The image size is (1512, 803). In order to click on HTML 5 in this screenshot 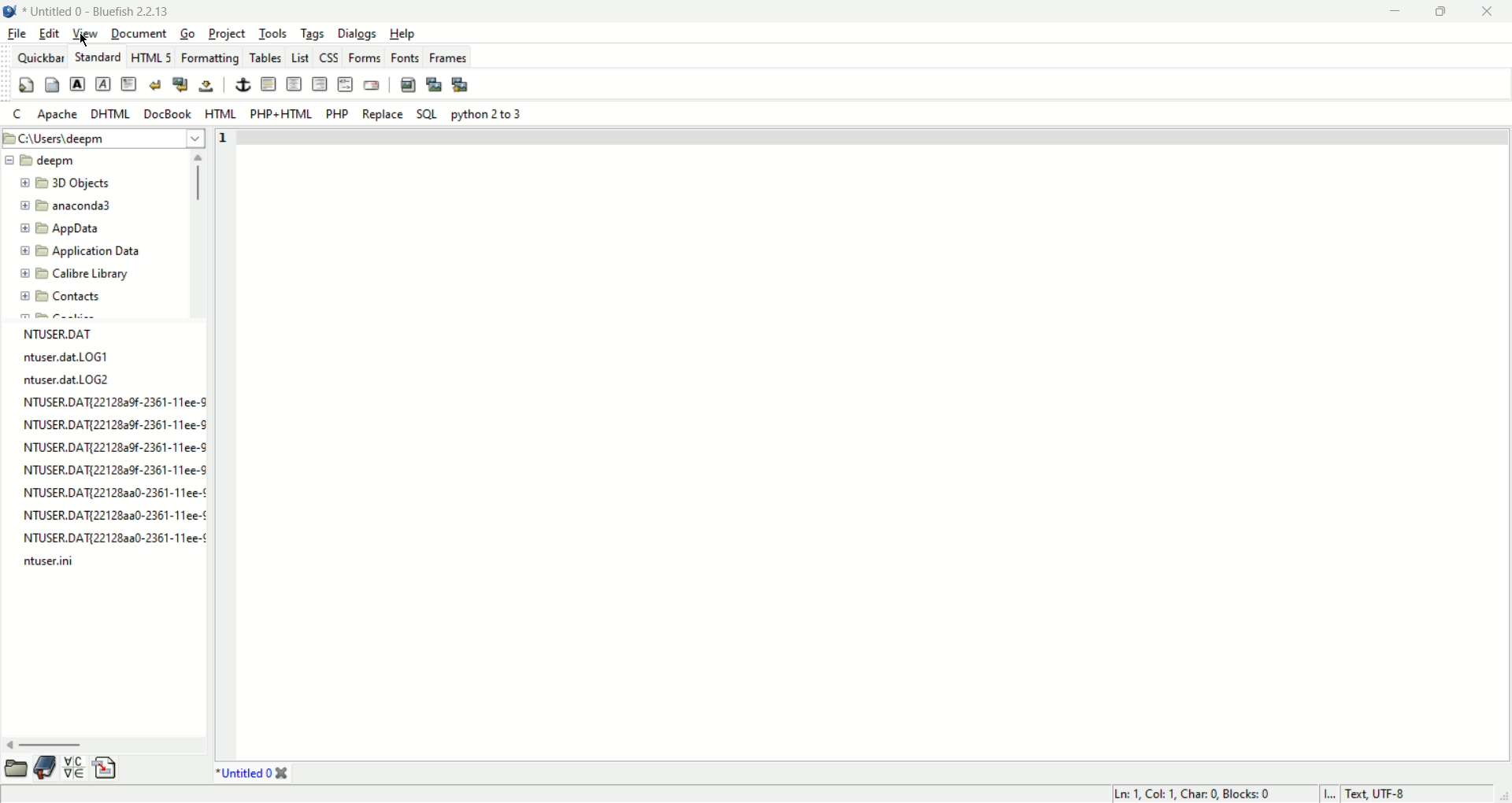, I will do `click(151, 56)`.